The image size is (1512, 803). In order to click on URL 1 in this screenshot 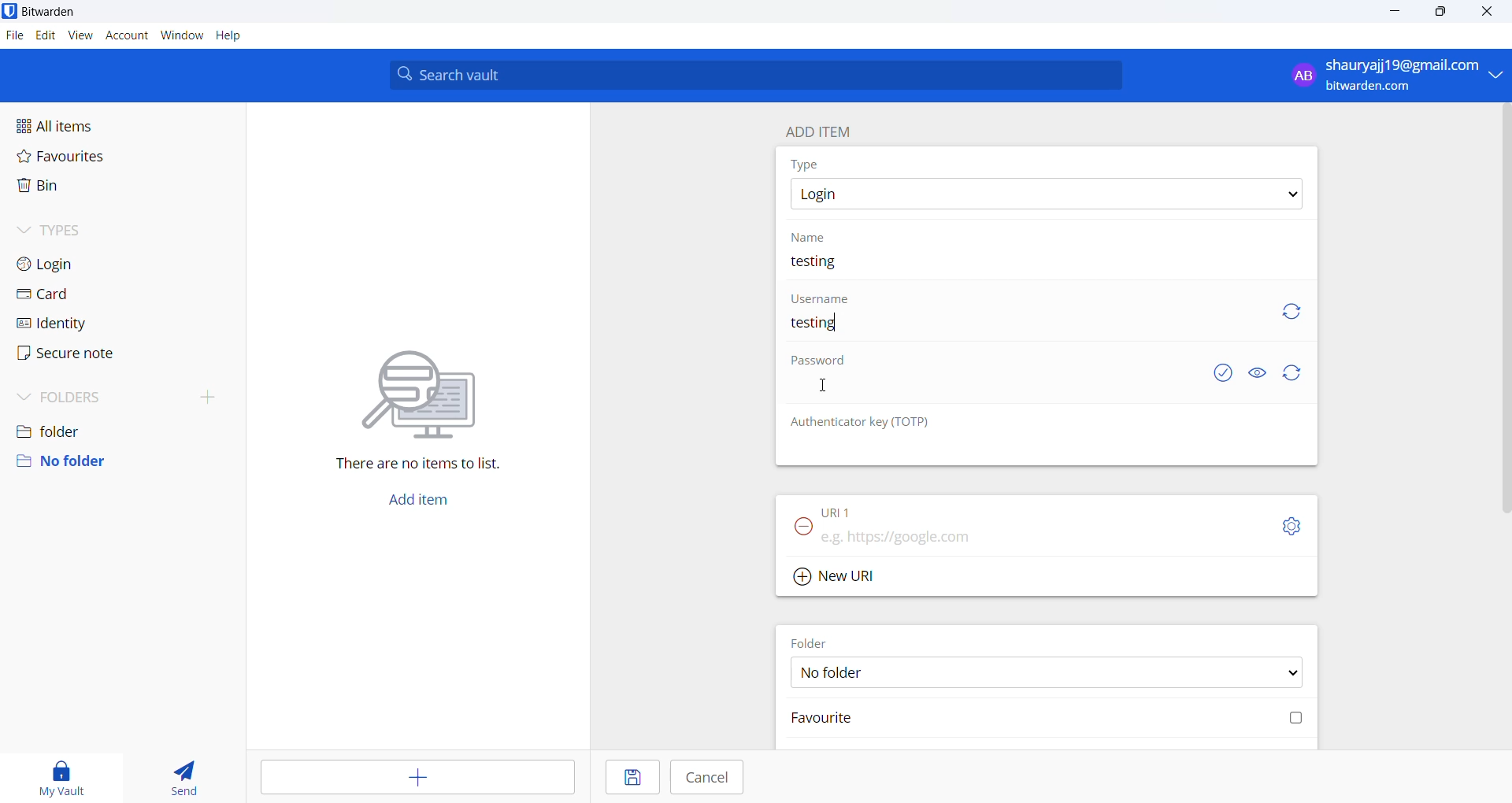, I will do `click(865, 511)`.